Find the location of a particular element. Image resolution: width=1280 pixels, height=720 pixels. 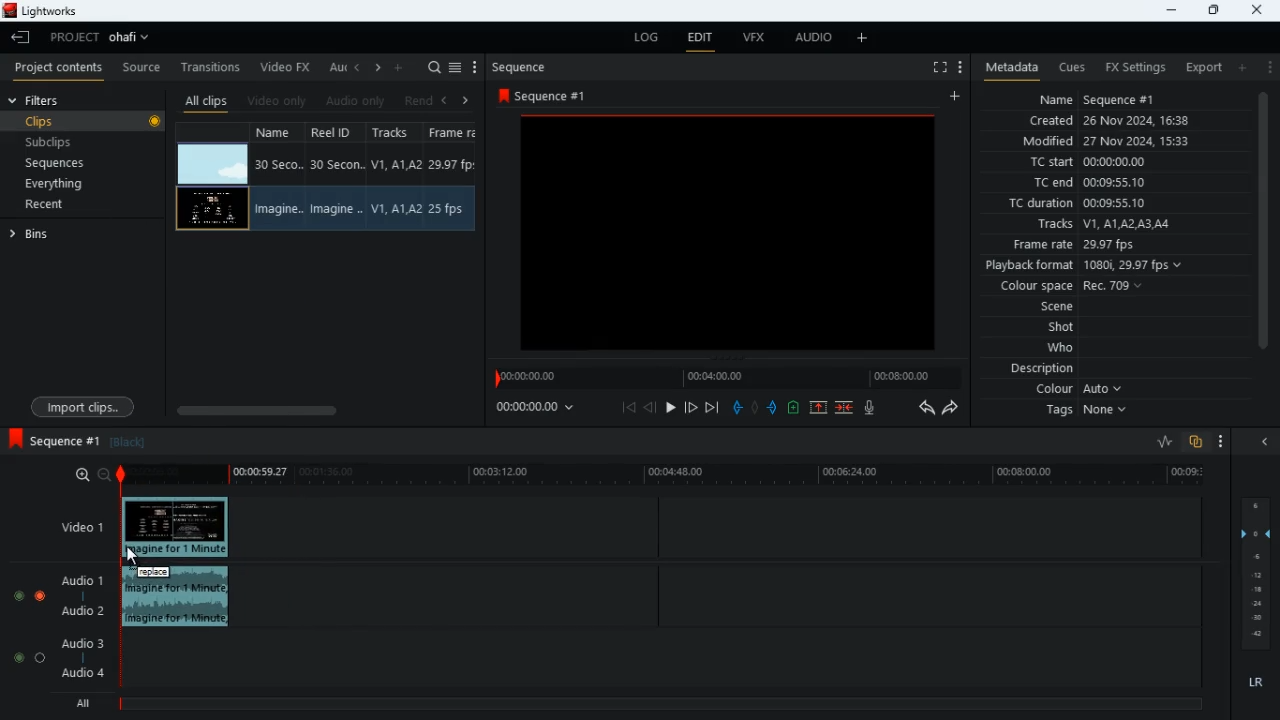

time is located at coordinates (539, 408).